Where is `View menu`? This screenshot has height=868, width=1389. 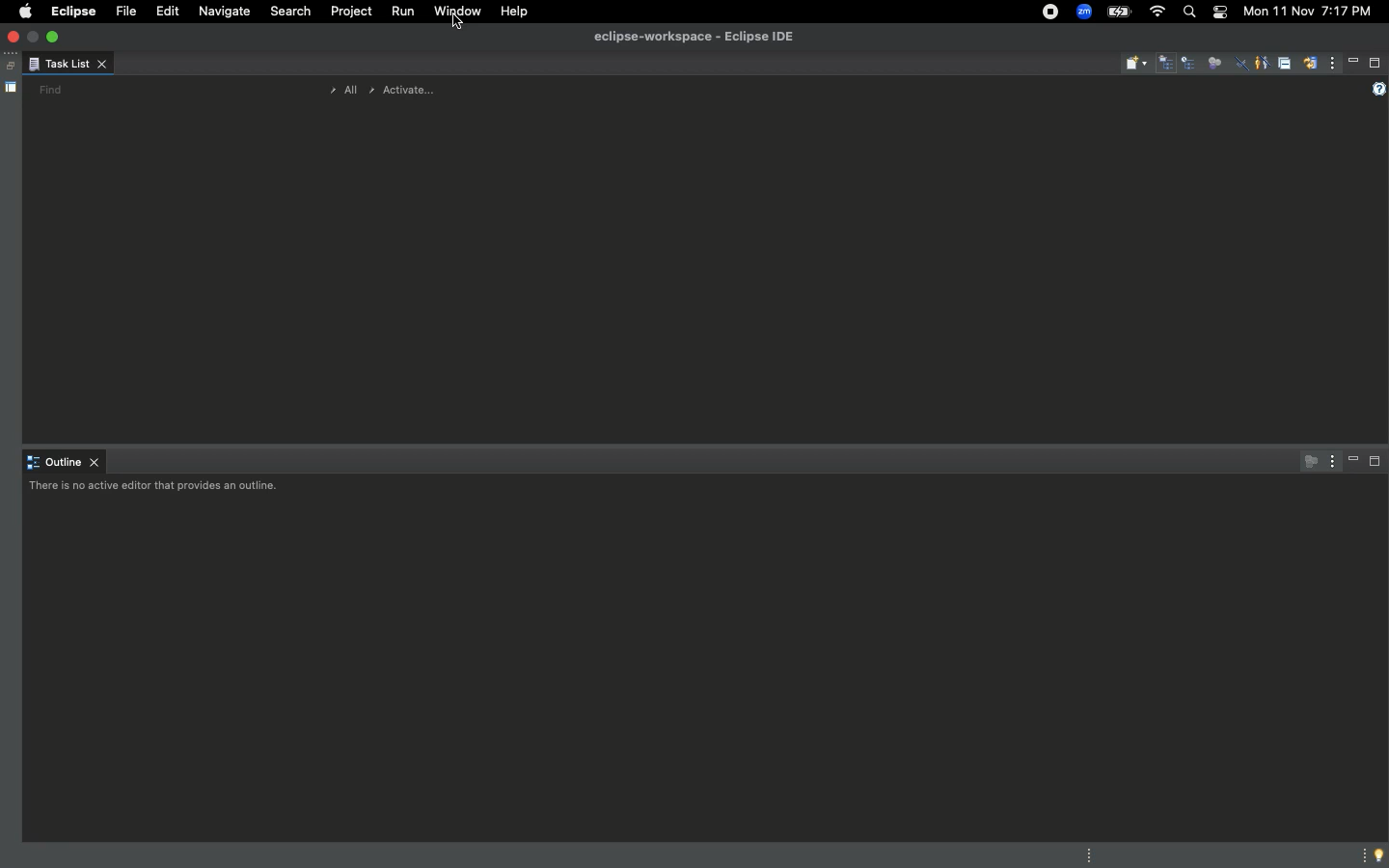
View menu is located at coordinates (1333, 66).